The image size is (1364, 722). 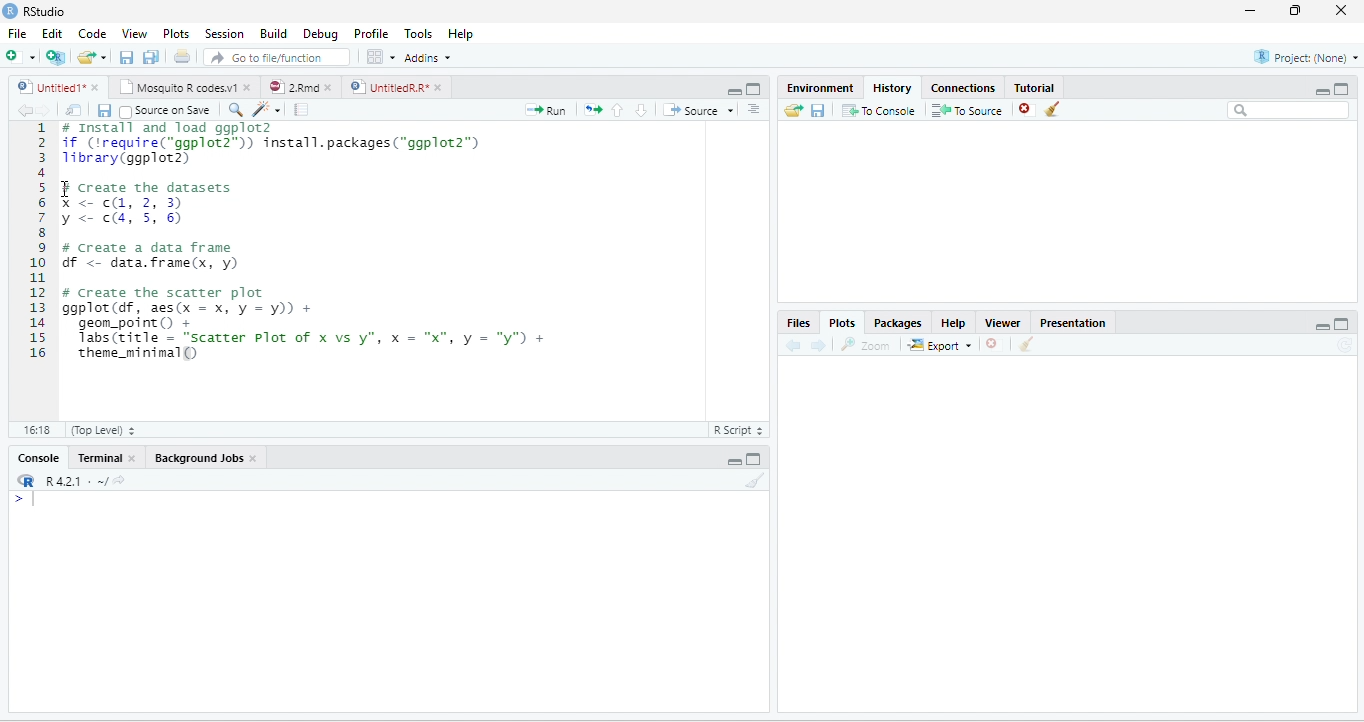 I want to click on Find/Replace, so click(x=237, y=111).